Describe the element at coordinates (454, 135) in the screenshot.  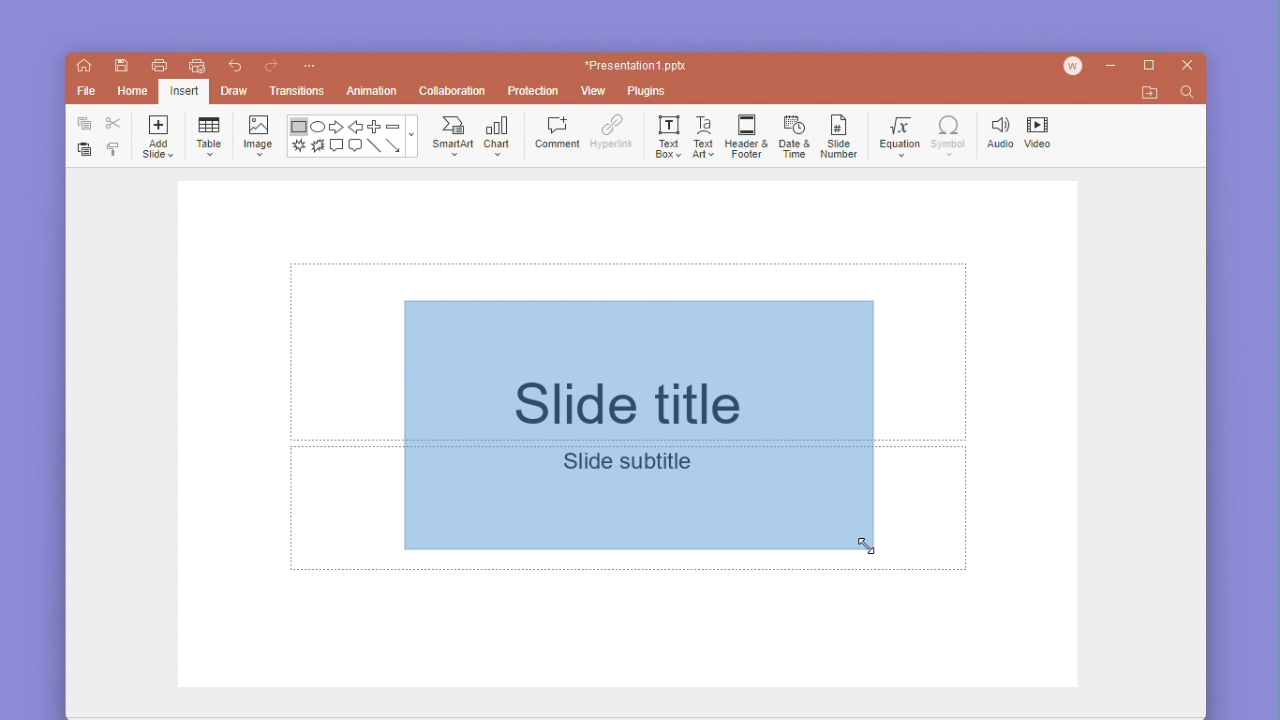
I see `smartart` at that location.